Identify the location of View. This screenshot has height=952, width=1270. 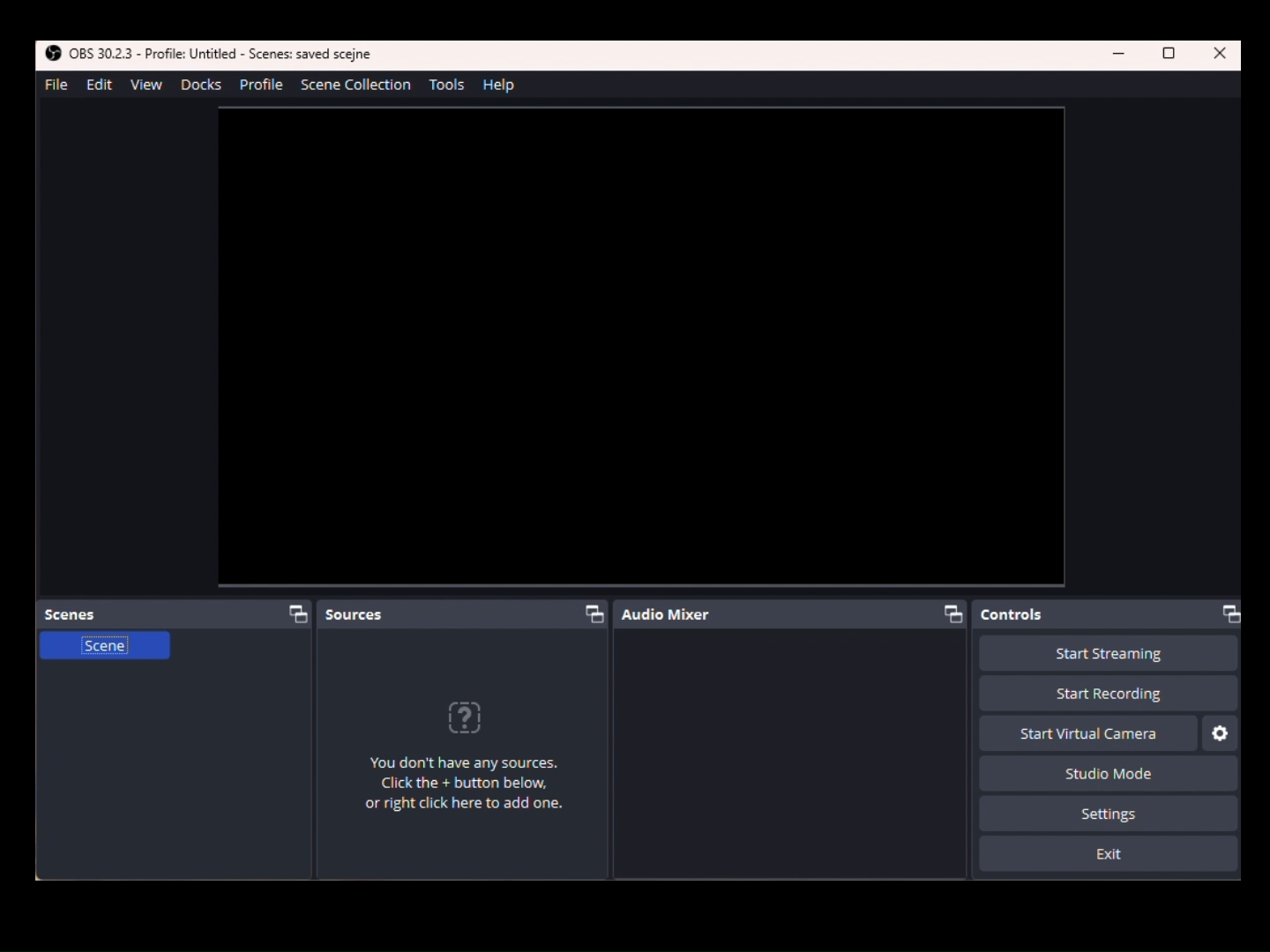
(150, 86).